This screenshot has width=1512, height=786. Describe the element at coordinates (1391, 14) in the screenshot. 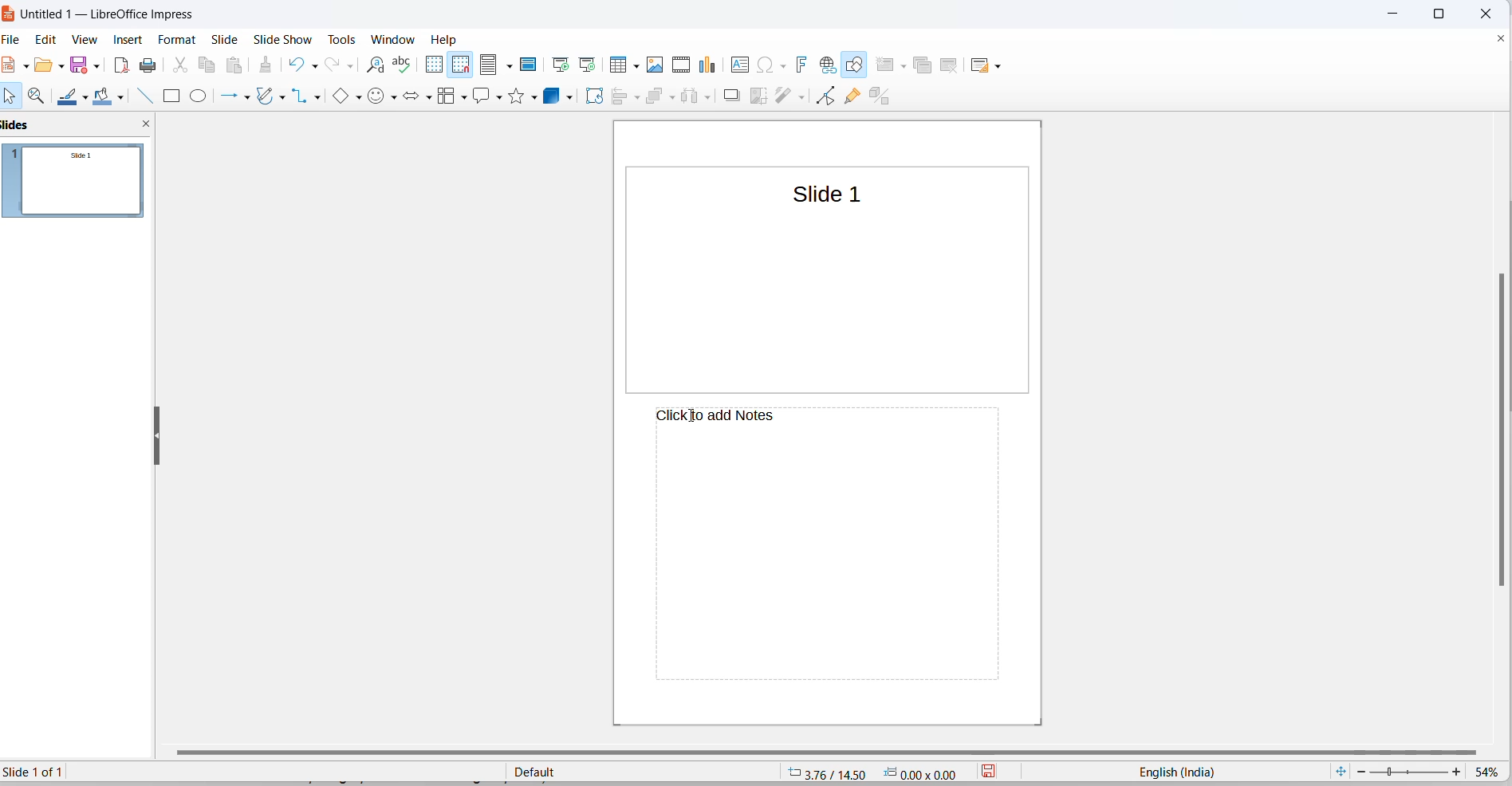

I see `close` at that location.